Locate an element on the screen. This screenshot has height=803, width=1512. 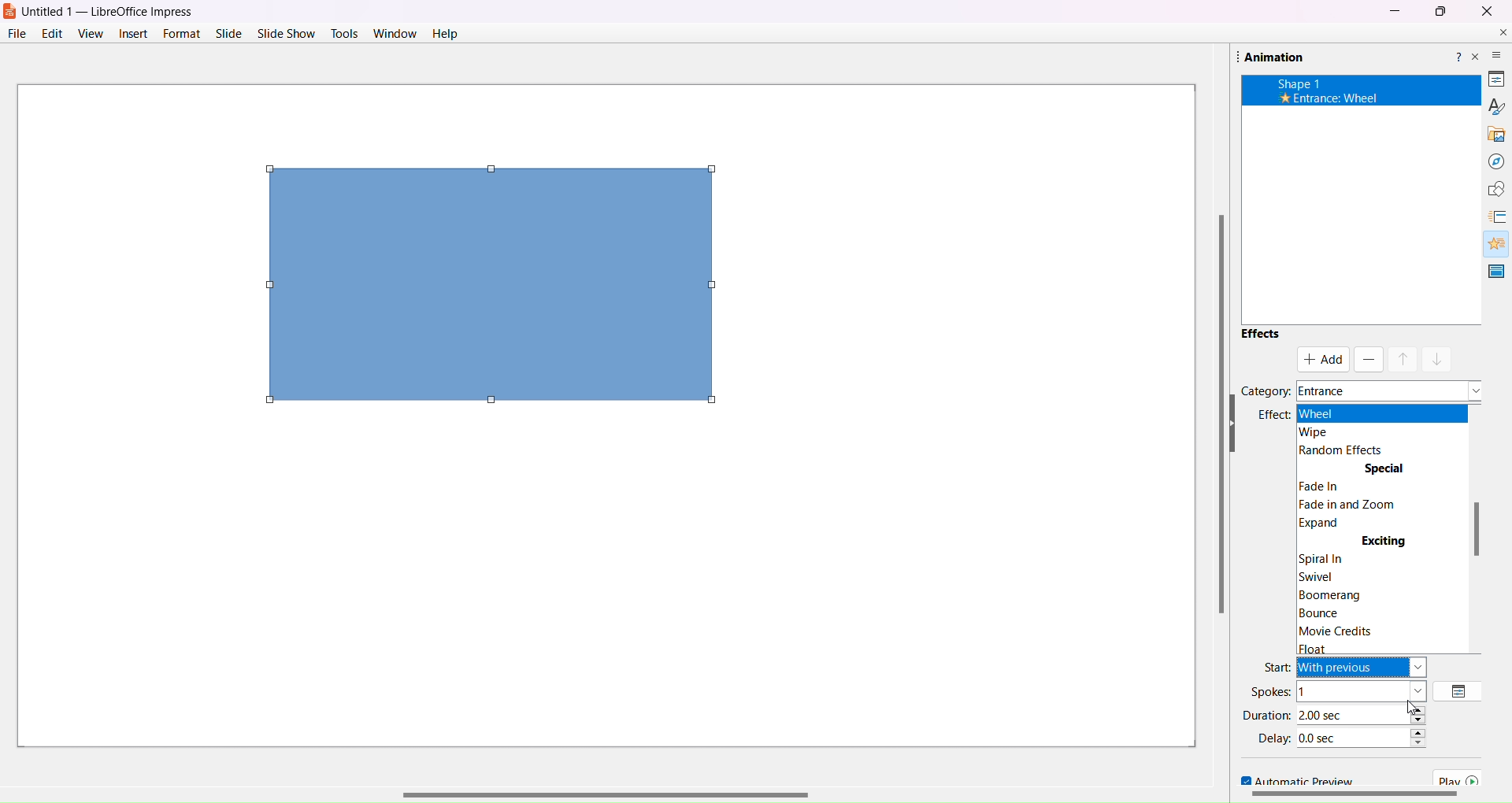
Close is located at coordinates (1486, 10).